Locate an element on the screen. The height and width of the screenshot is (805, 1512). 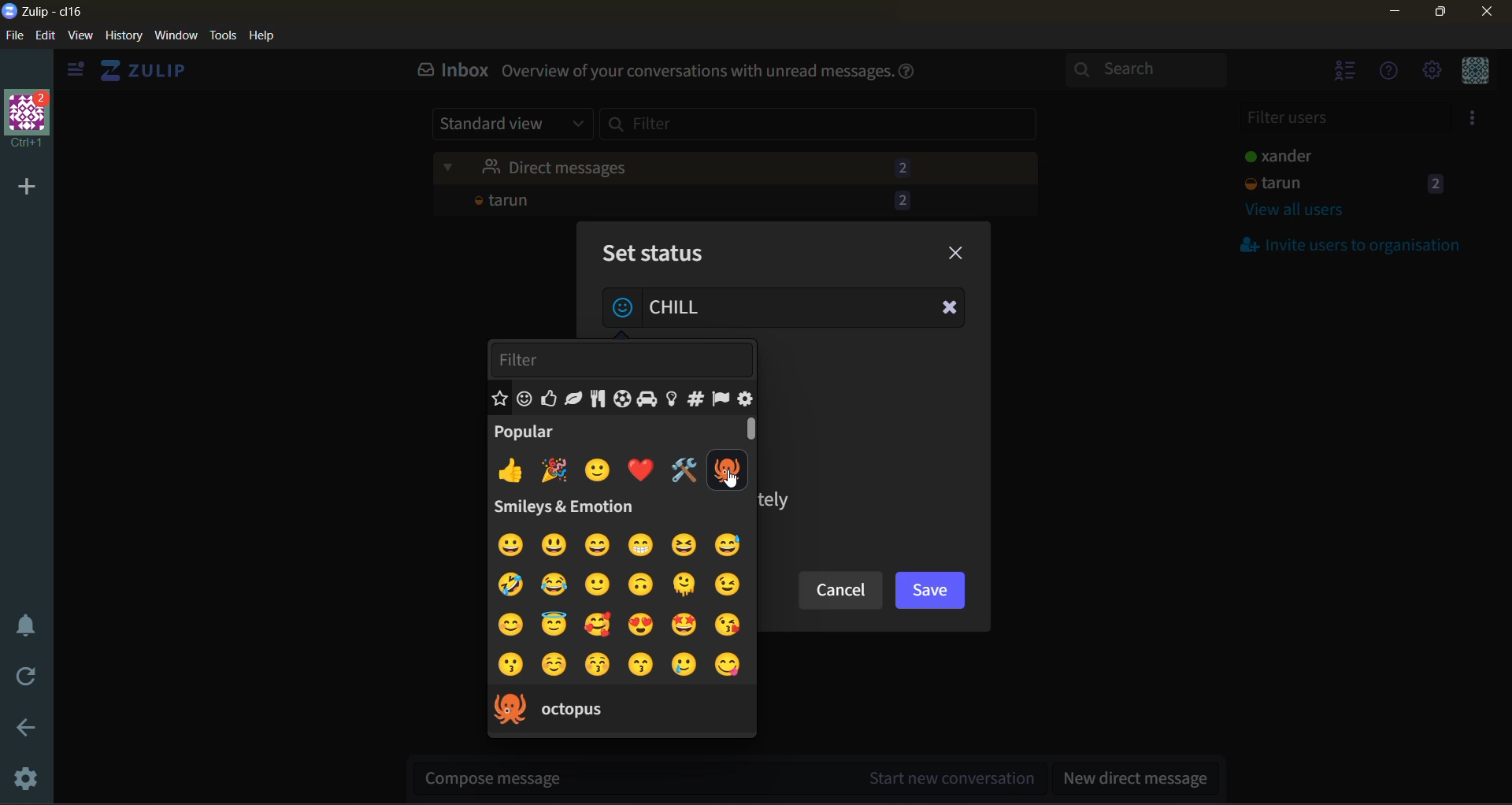
emoji is located at coordinates (731, 544).